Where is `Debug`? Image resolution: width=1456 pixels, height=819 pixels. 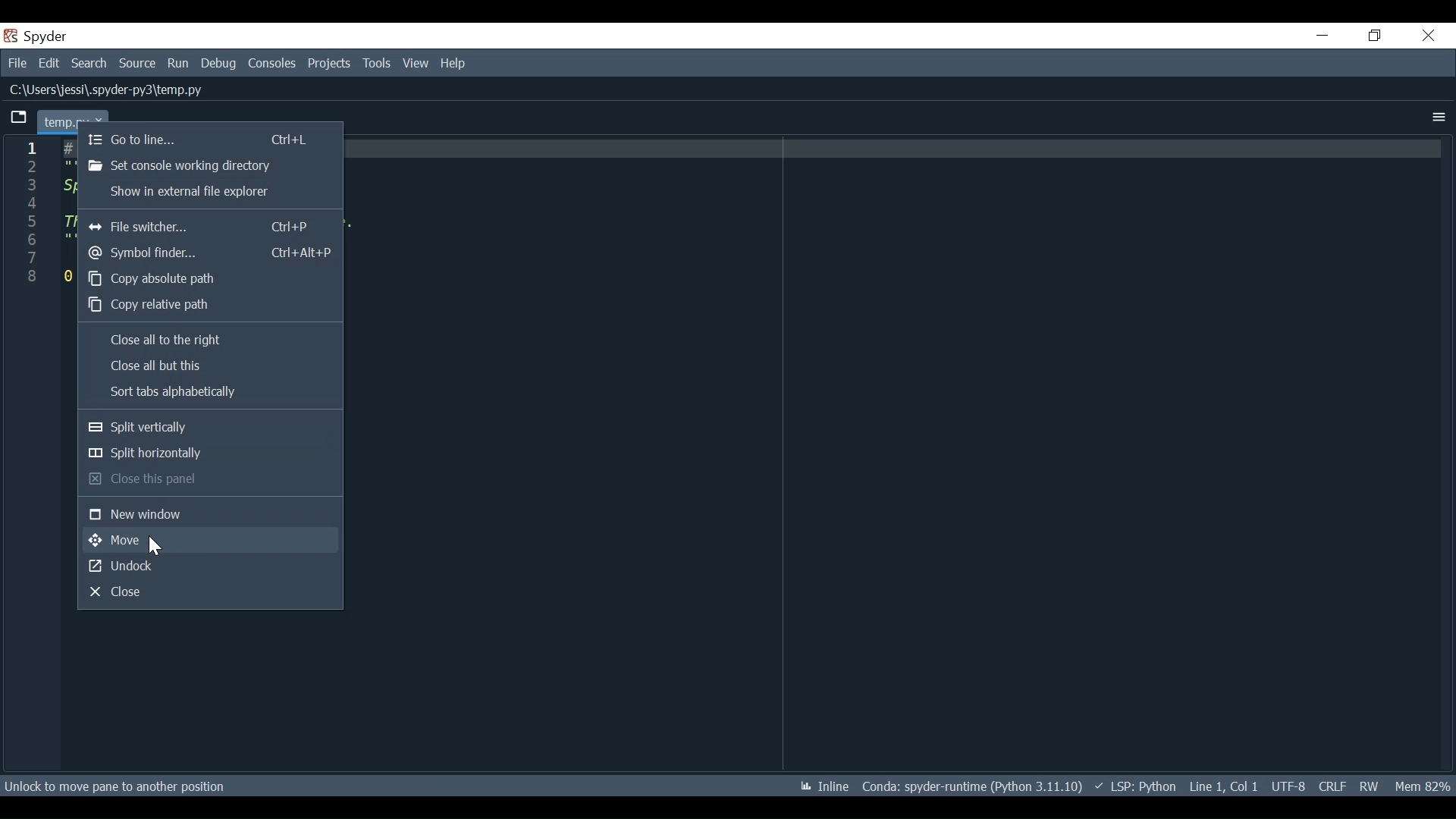
Debug is located at coordinates (220, 64).